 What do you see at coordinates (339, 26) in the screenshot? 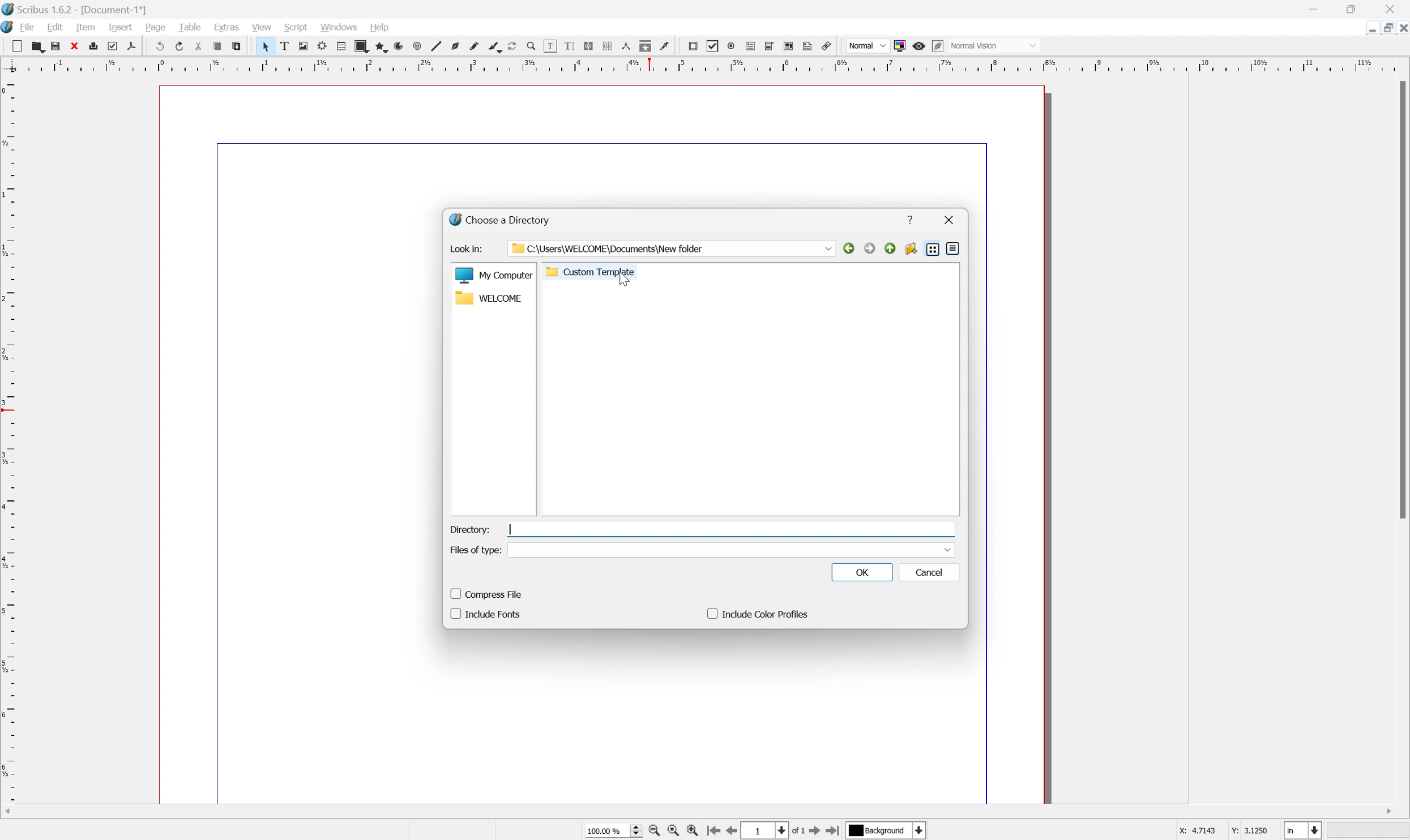
I see `windows` at bounding box center [339, 26].